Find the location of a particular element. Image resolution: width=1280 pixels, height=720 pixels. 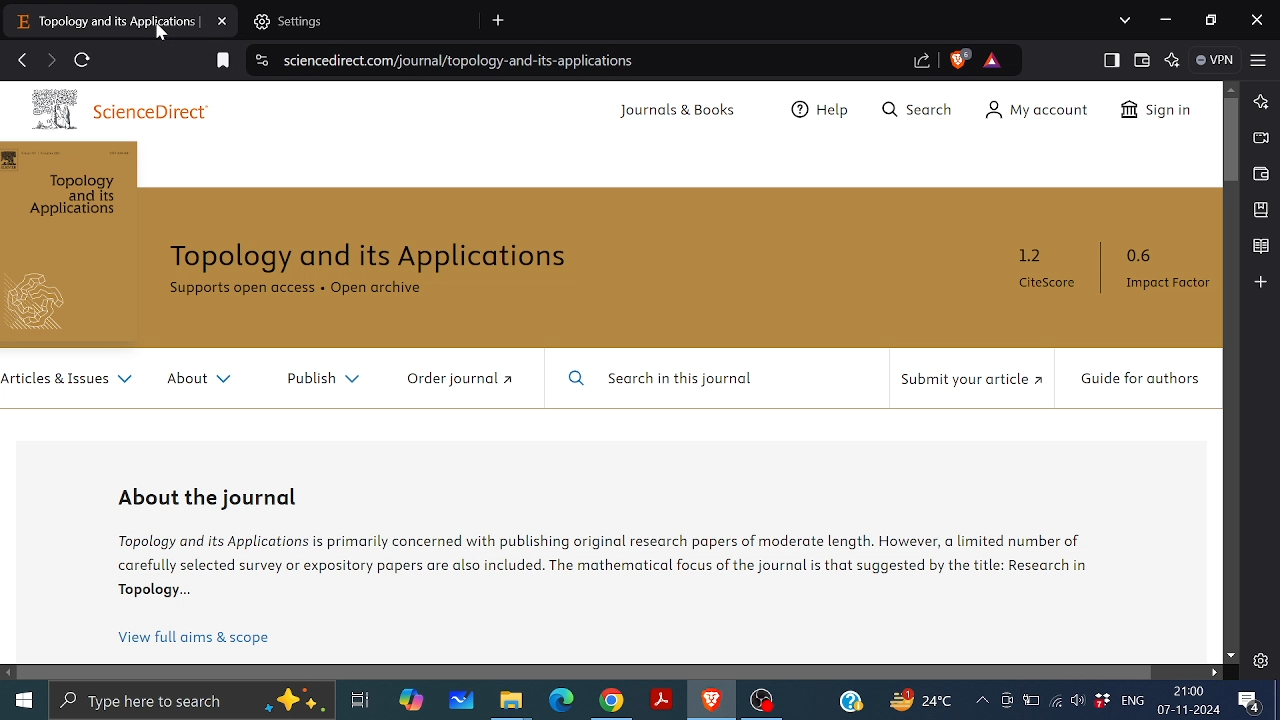

 search is located at coordinates (914, 107).